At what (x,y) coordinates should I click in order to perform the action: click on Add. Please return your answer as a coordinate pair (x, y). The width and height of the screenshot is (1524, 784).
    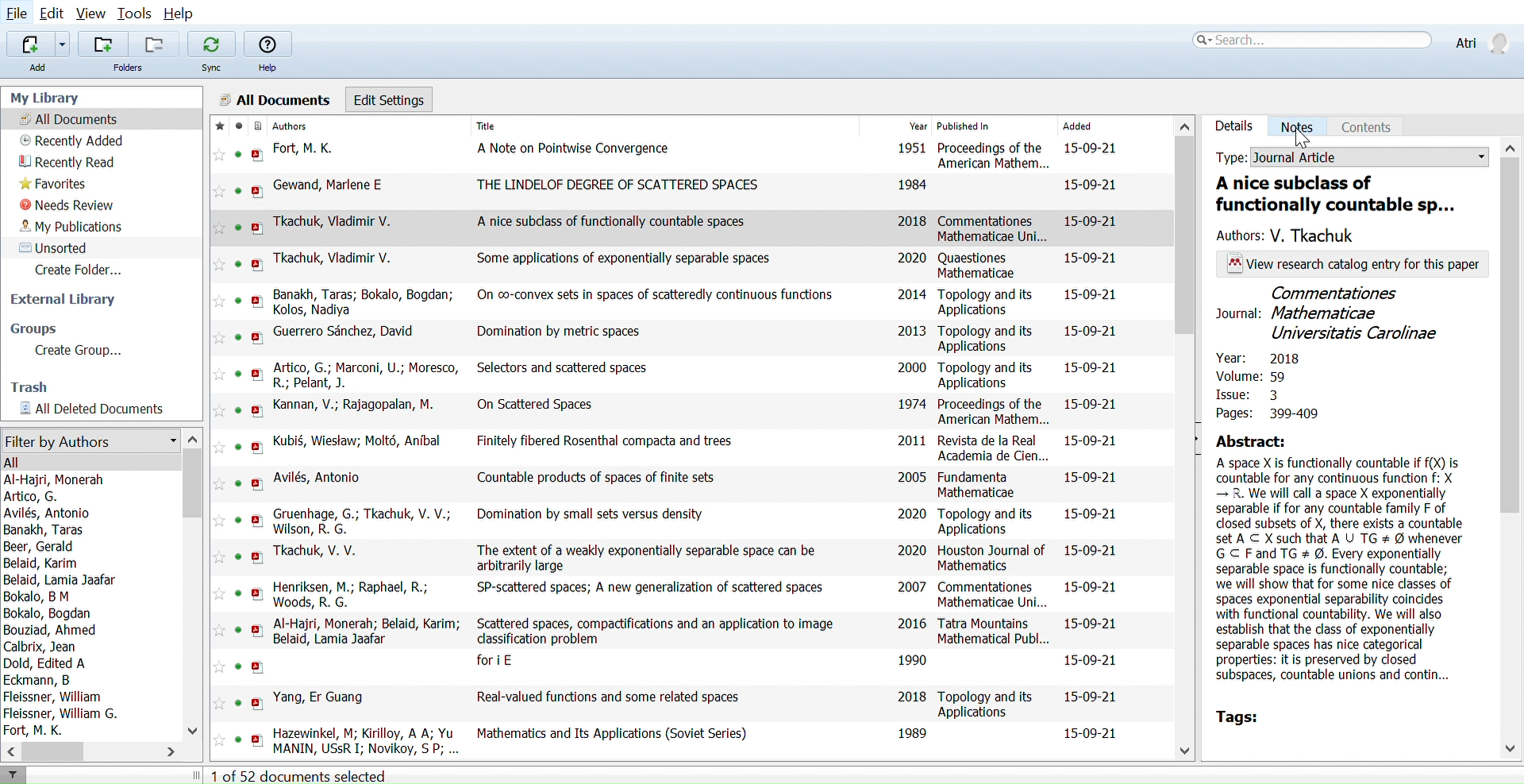
    Looking at the image, I should click on (36, 67).